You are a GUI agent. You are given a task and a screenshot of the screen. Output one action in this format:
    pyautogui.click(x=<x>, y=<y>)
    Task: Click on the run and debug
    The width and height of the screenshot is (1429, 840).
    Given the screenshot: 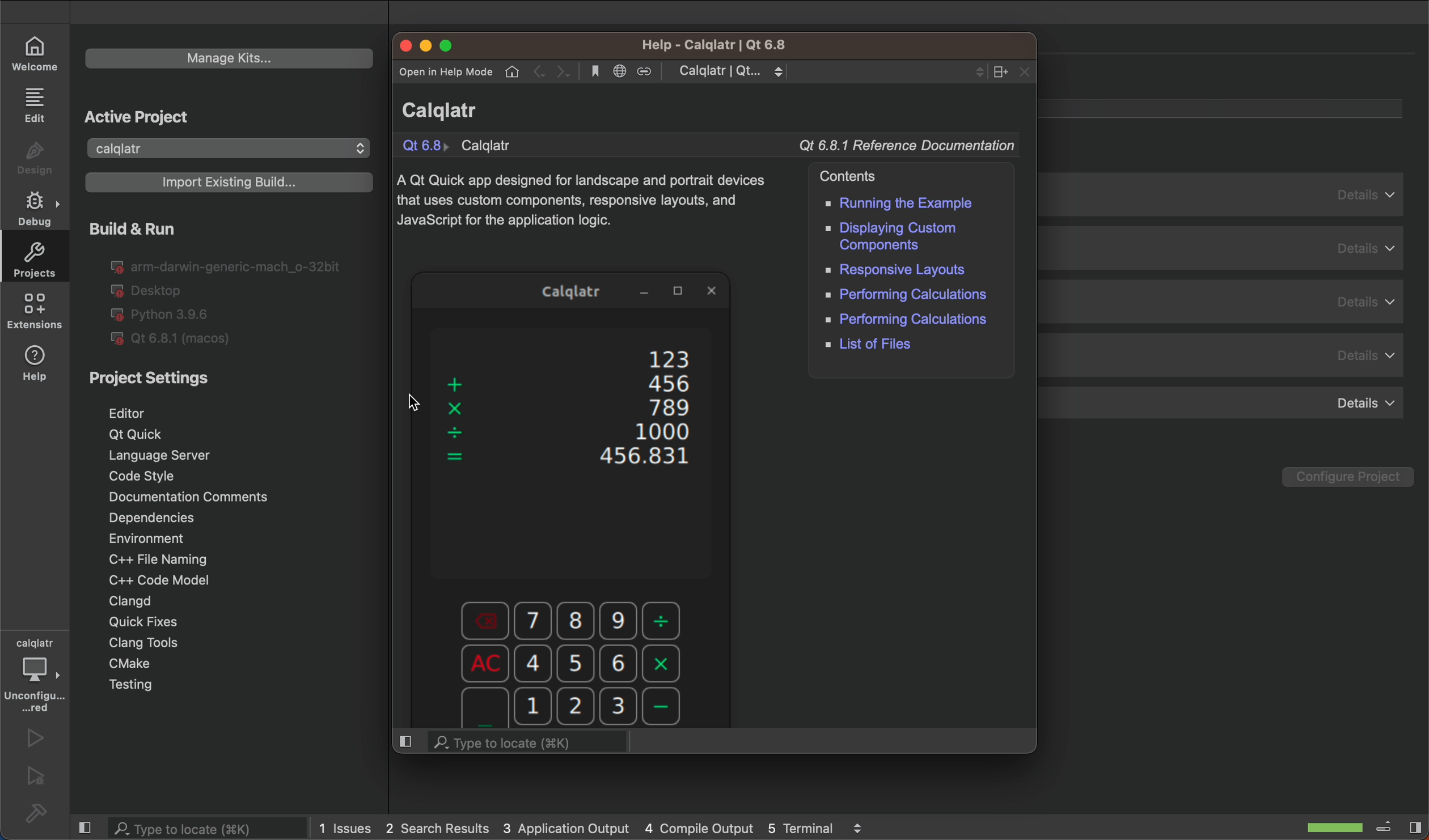 What is the action you would take?
    pyautogui.click(x=41, y=775)
    